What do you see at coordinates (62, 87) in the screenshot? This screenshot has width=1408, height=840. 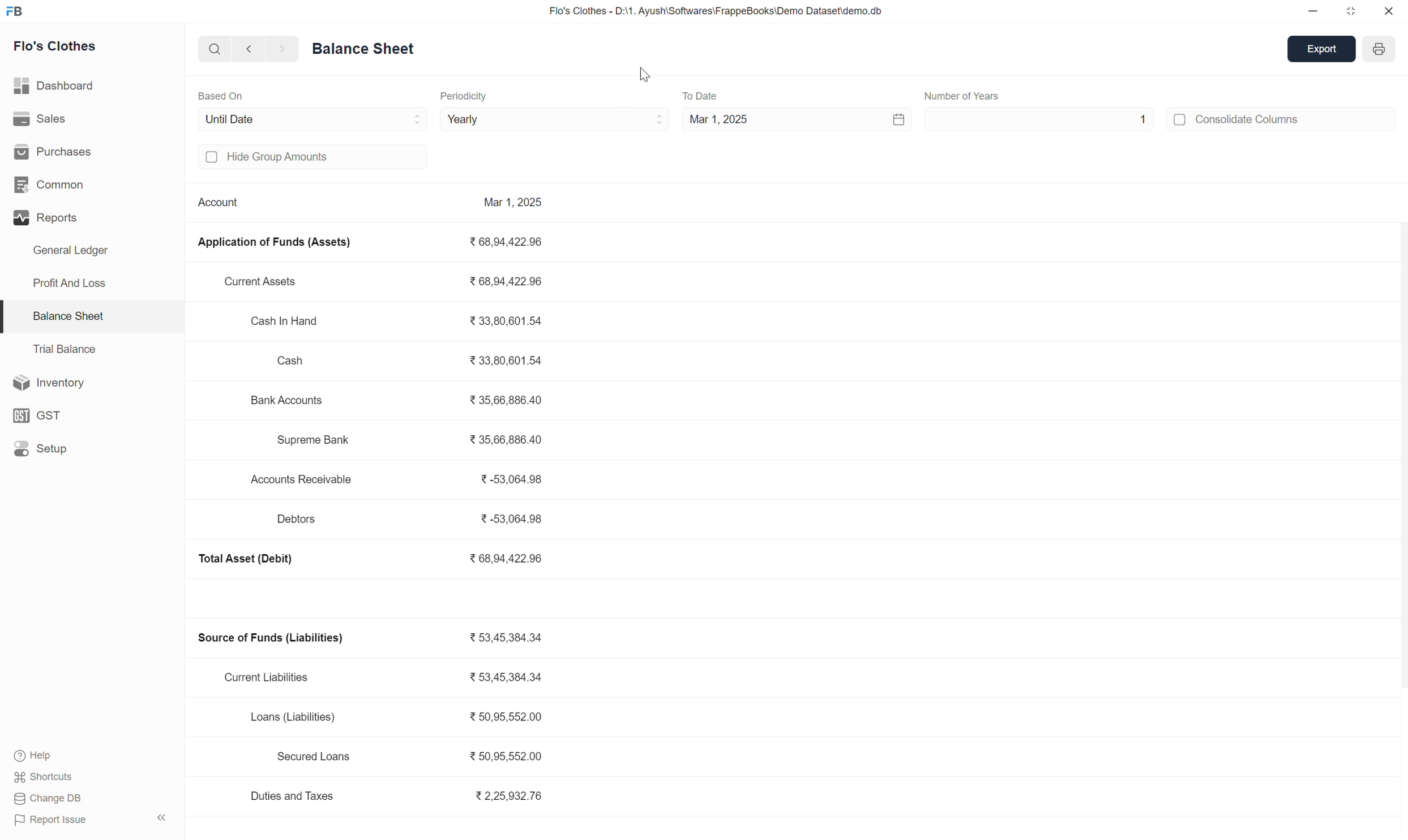 I see ` Dashboard` at bounding box center [62, 87].